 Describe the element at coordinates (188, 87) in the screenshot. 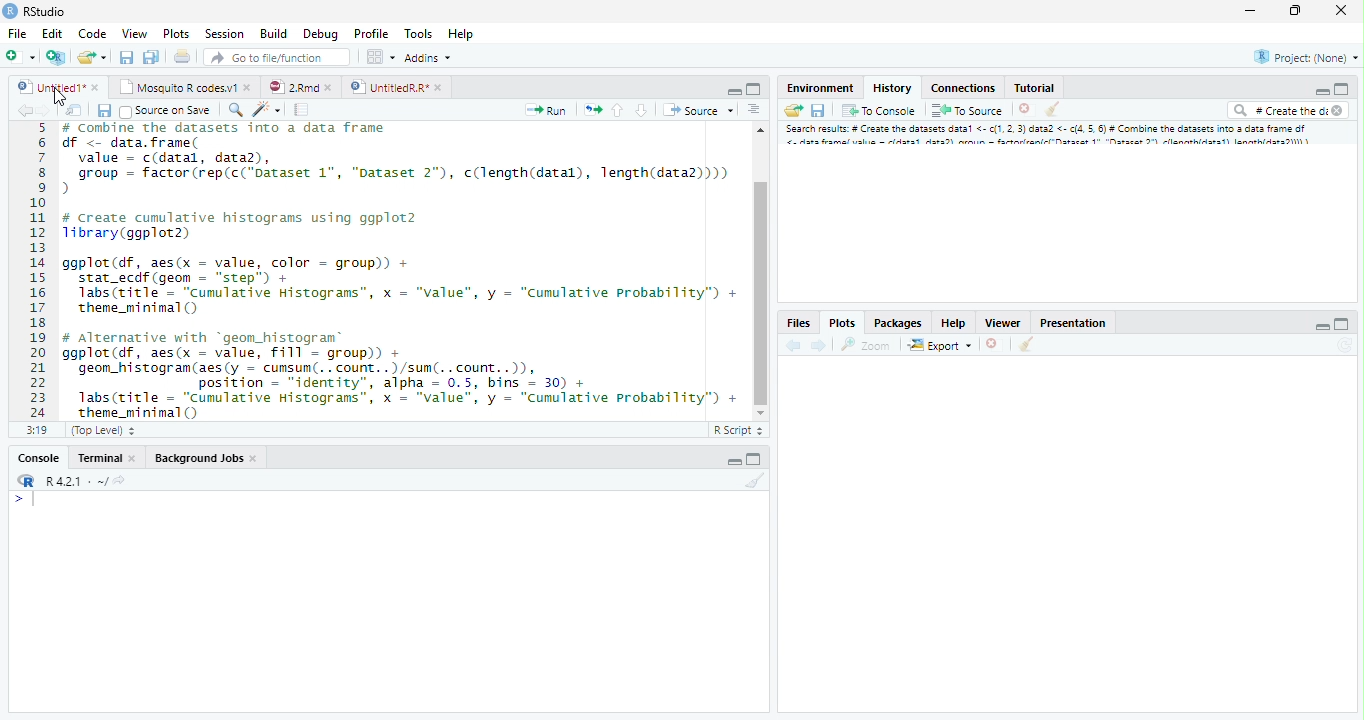

I see `Mosquito R codes` at that location.